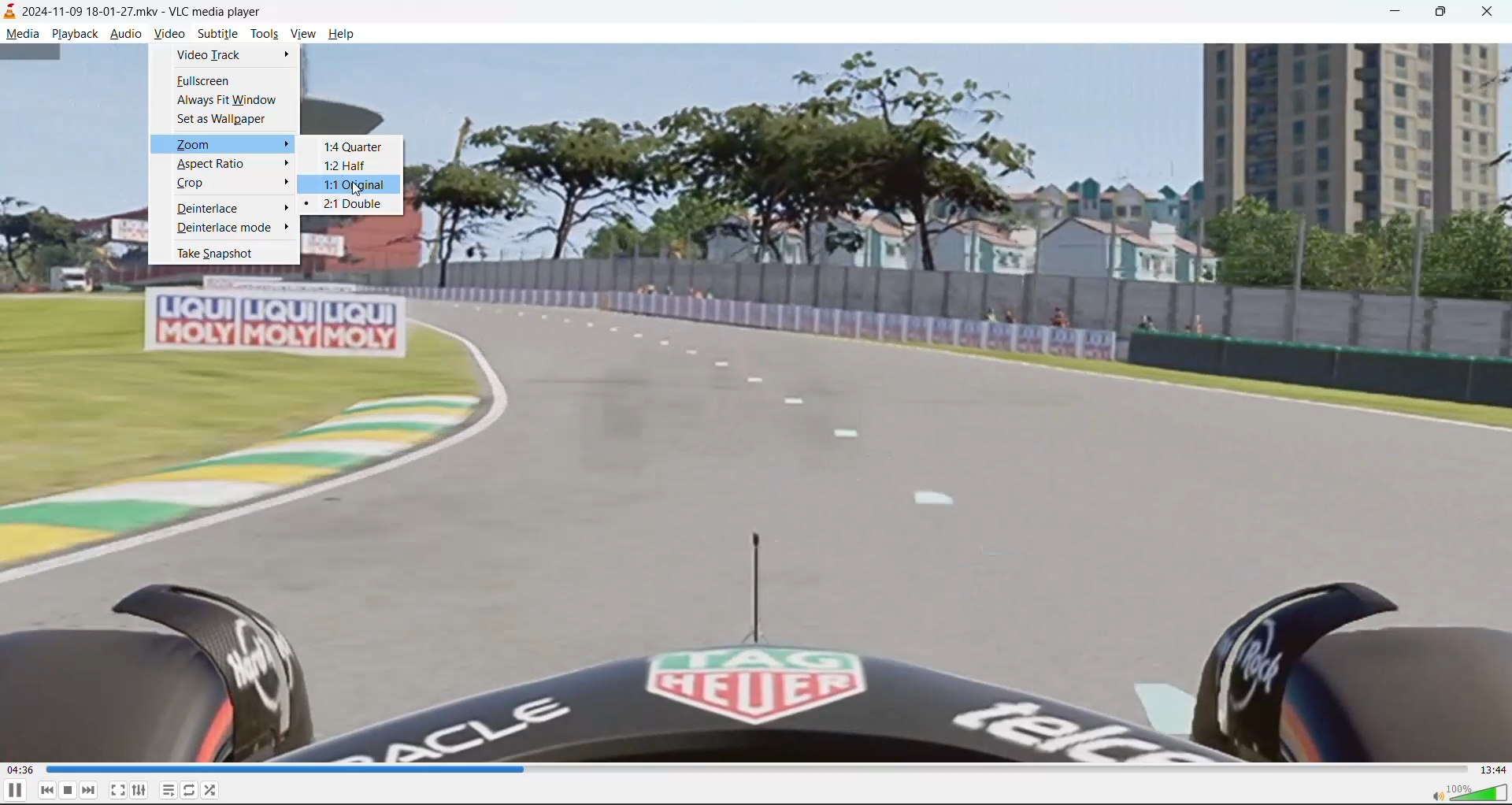 The height and width of the screenshot is (805, 1512). I want to click on track name and app name, so click(143, 12).